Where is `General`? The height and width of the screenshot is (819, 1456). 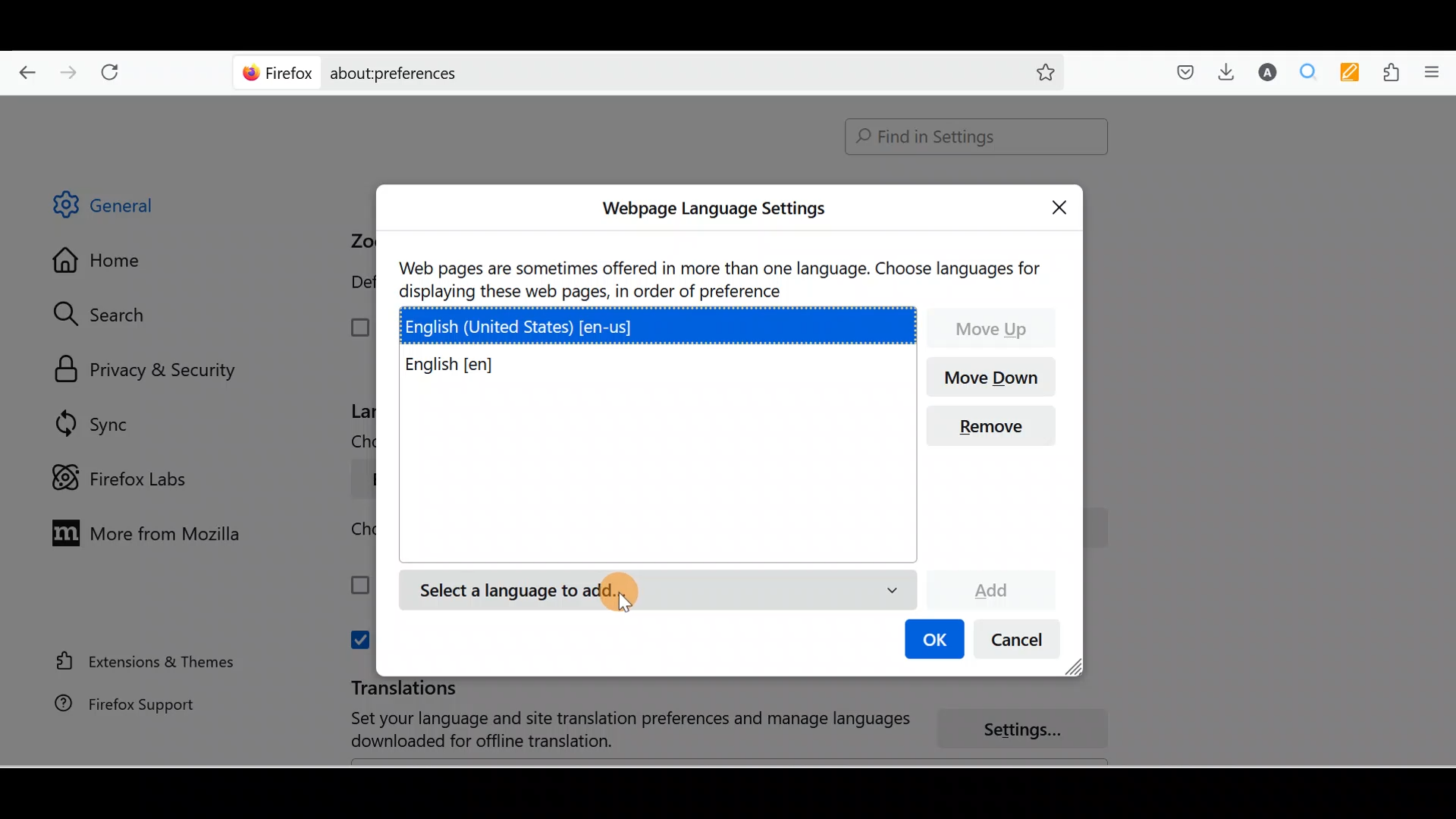
General is located at coordinates (117, 208).